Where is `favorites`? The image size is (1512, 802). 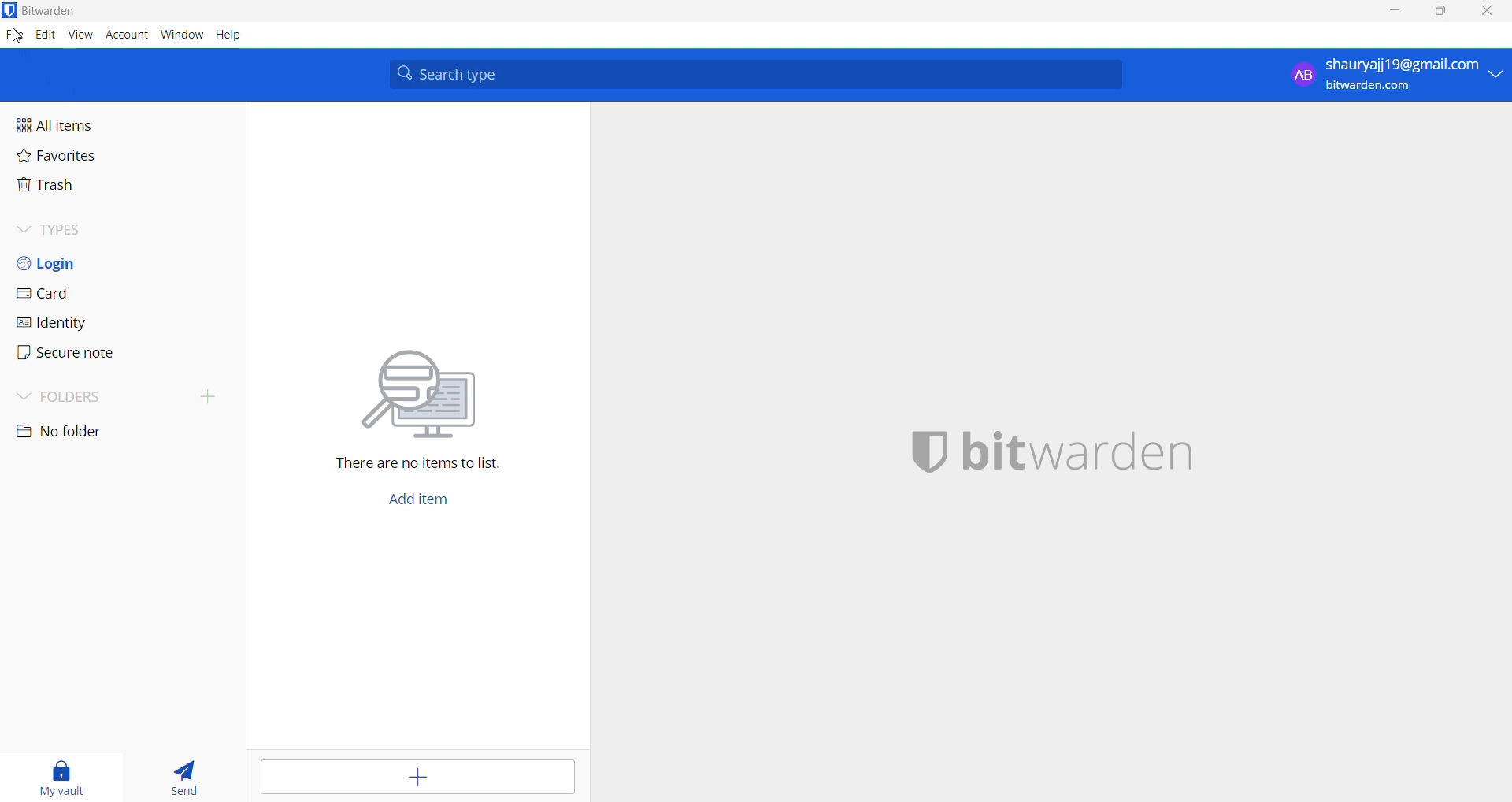 favorites is located at coordinates (146, 154).